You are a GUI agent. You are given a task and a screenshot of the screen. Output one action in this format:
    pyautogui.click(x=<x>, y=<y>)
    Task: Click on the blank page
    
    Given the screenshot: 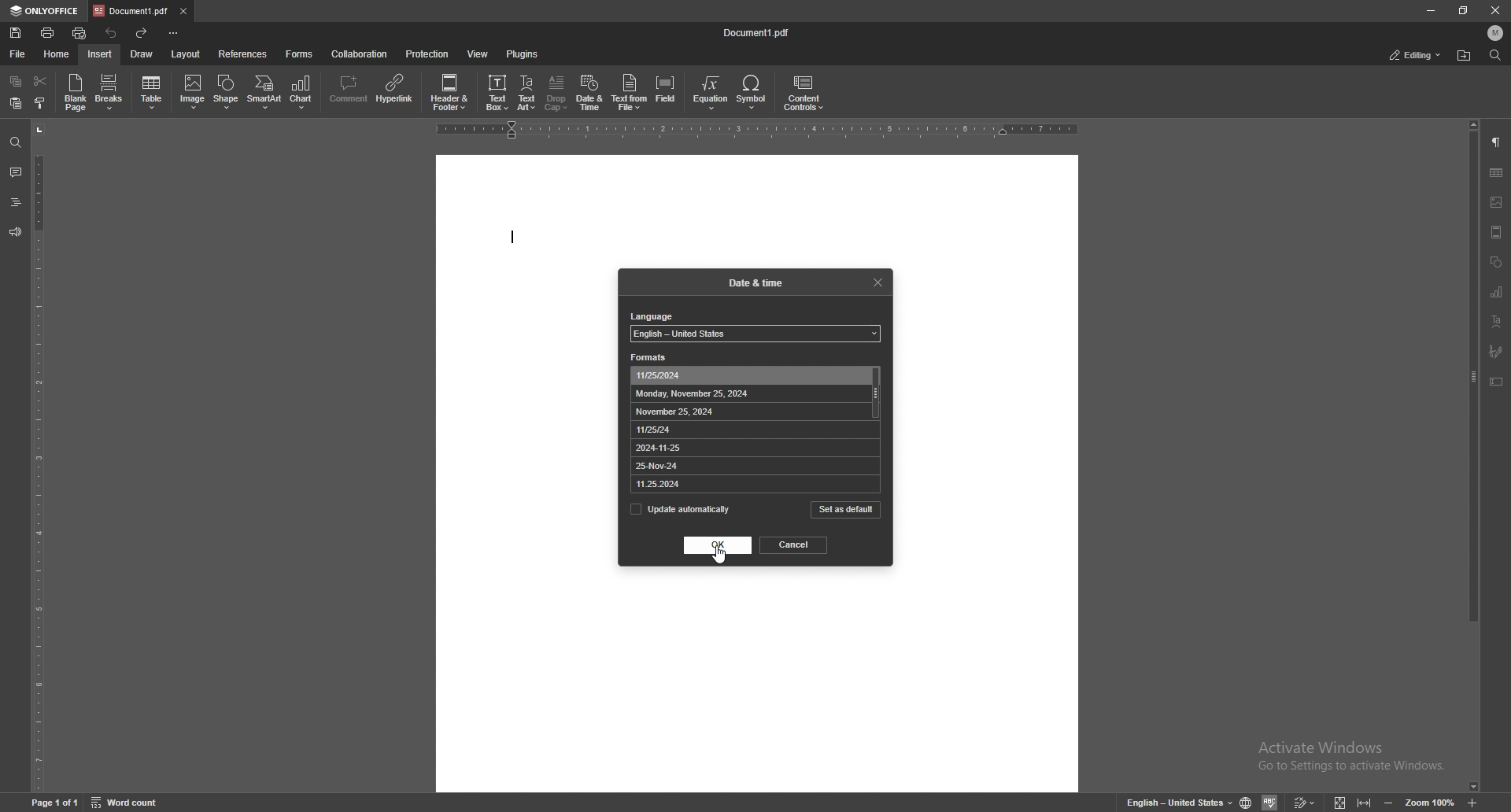 What is the action you would take?
    pyautogui.click(x=76, y=93)
    